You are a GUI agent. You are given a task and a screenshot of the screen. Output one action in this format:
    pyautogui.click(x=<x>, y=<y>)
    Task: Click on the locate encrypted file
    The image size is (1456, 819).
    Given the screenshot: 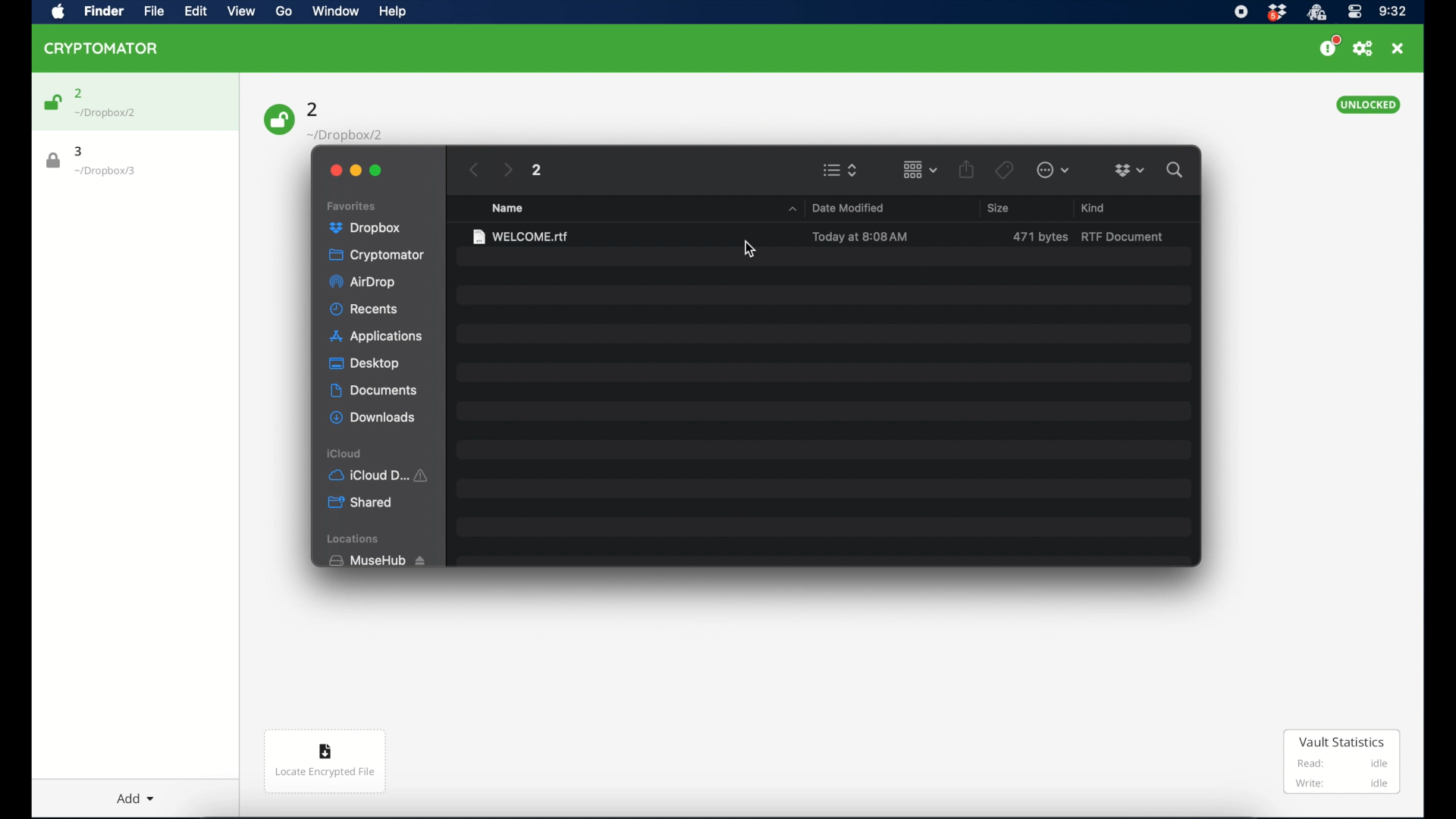 What is the action you would take?
    pyautogui.click(x=325, y=760)
    